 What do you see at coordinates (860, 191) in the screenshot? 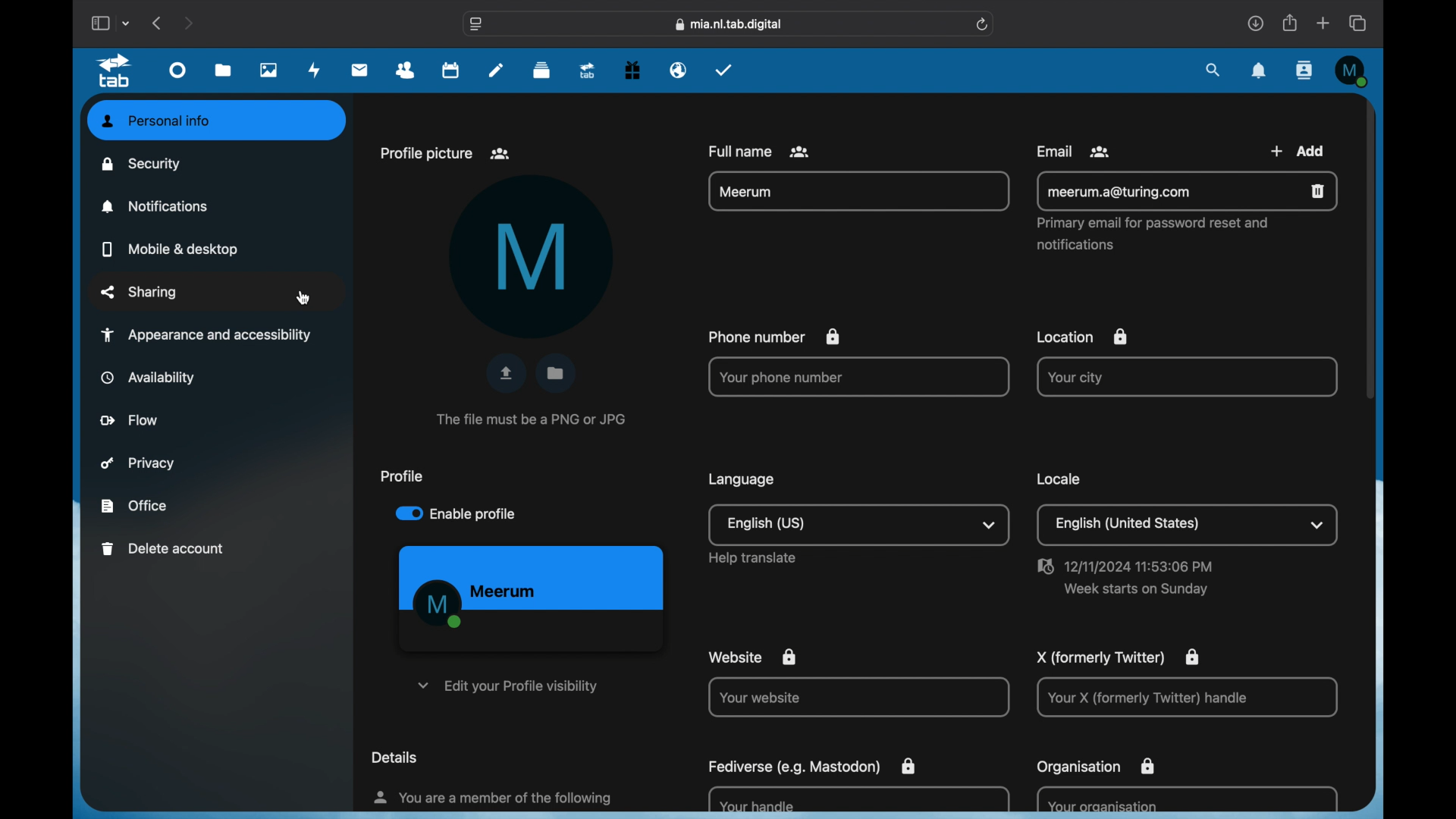
I see `full name` at bounding box center [860, 191].